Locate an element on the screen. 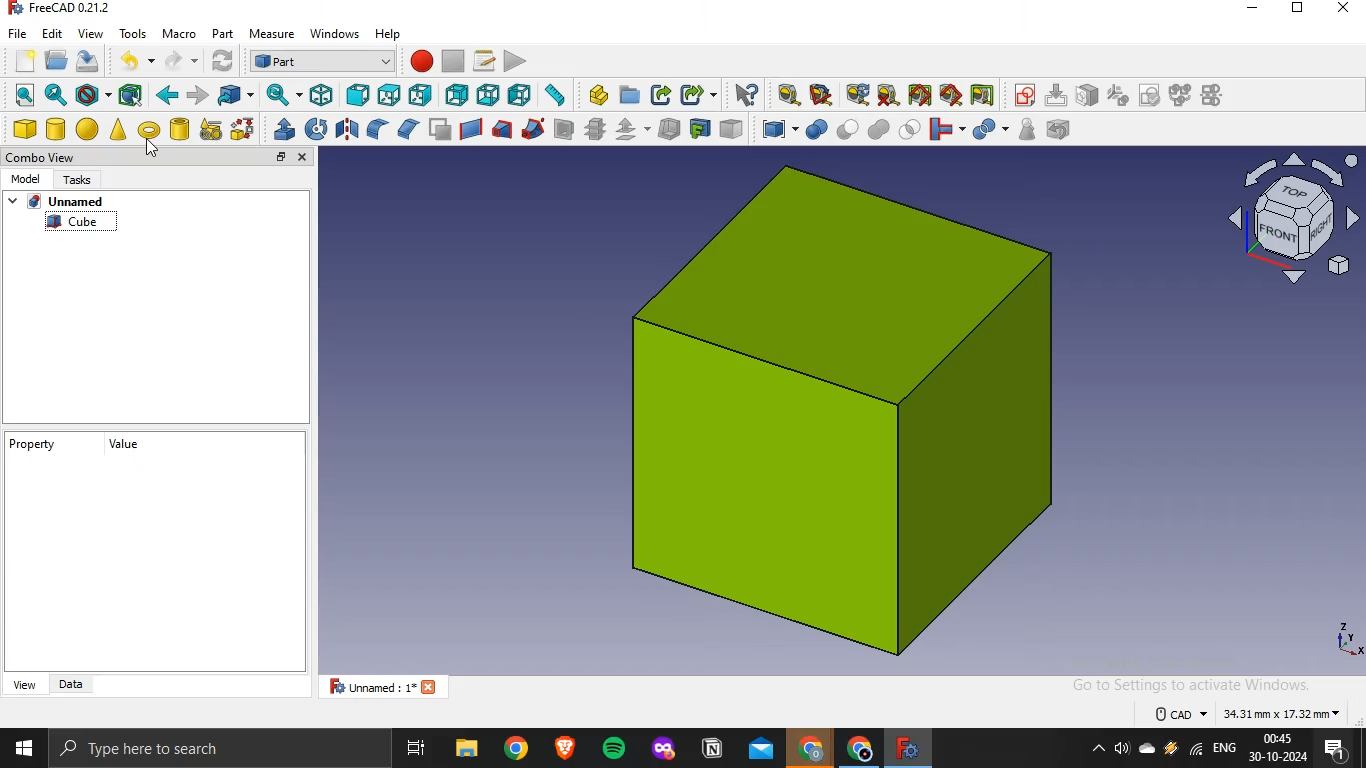 This screenshot has width=1366, height=768. macro recording is located at coordinates (423, 61).